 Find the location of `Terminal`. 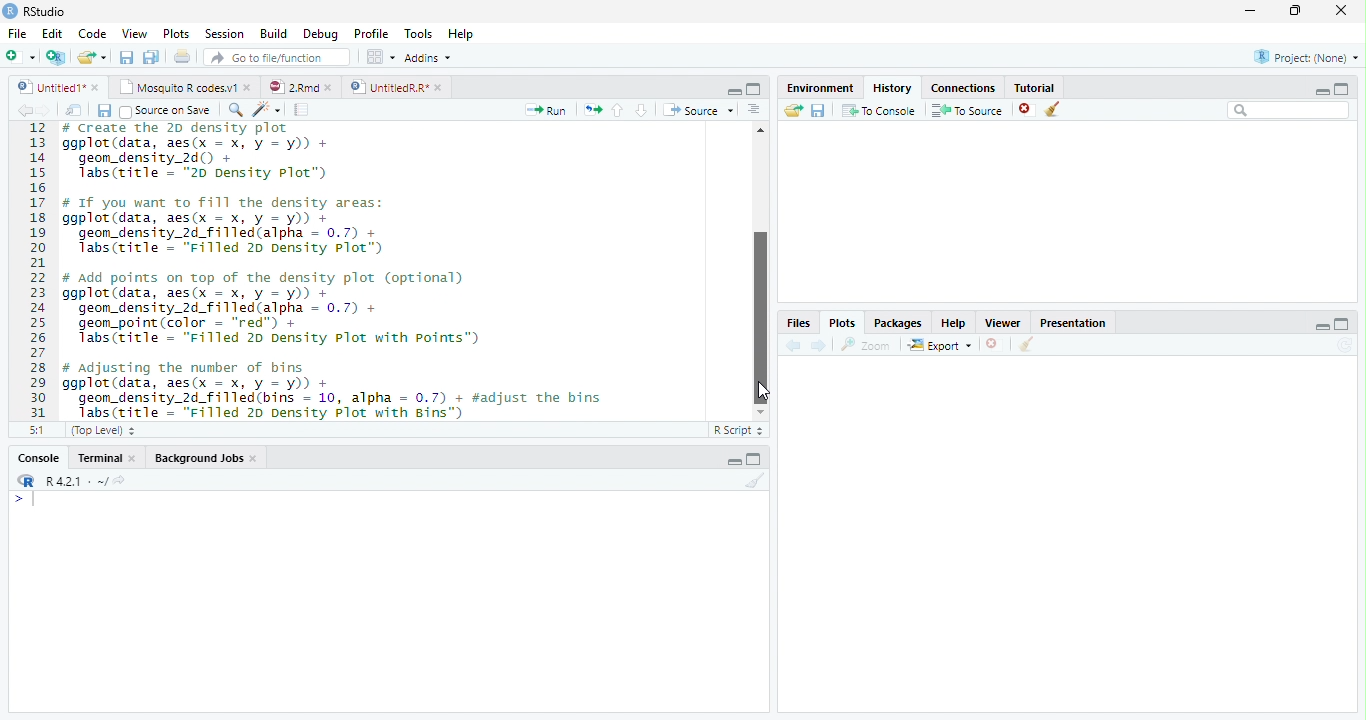

Terminal is located at coordinates (99, 458).